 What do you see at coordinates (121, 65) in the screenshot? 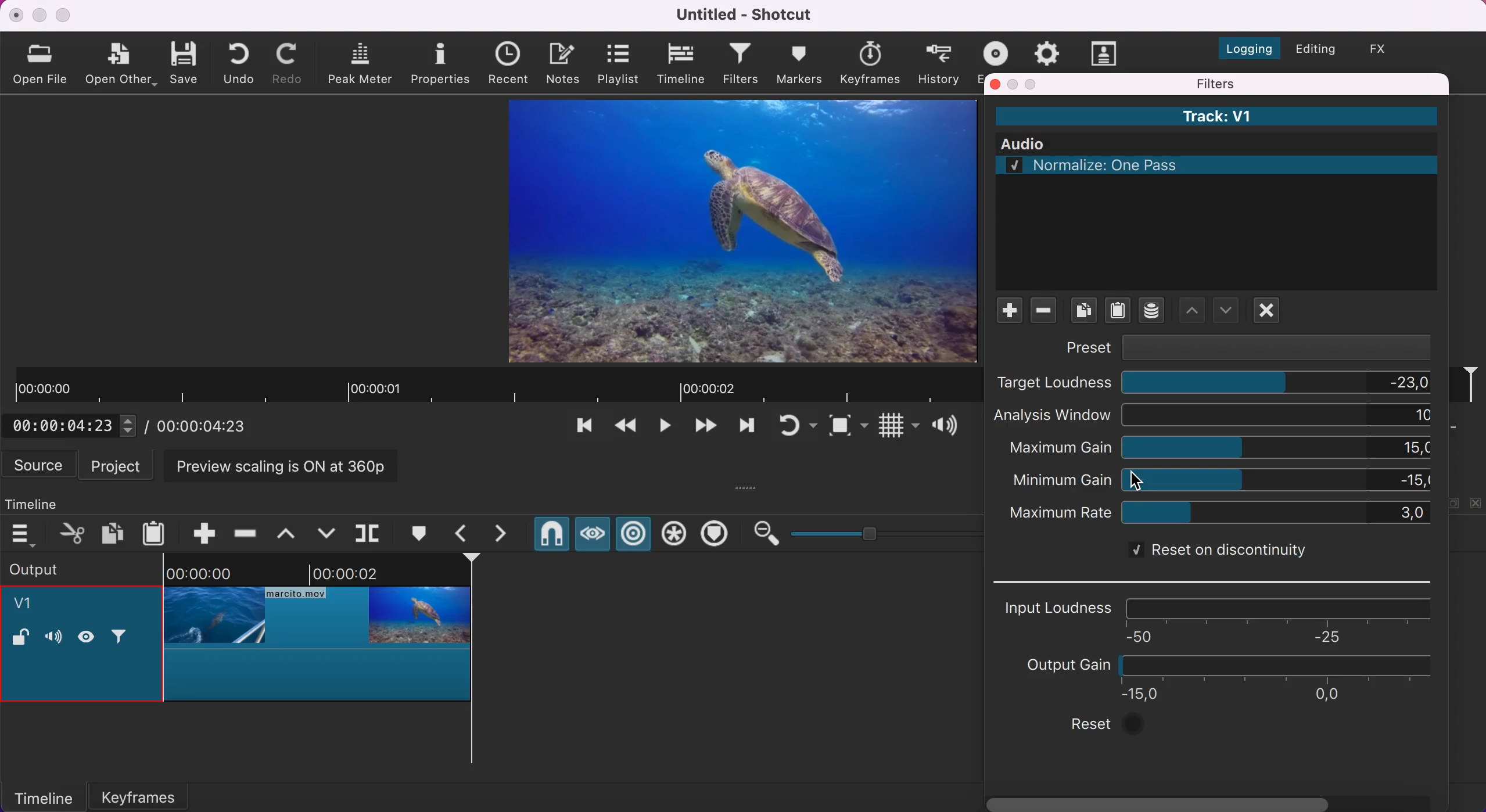
I see `open other` at bounding box center [121, 65].